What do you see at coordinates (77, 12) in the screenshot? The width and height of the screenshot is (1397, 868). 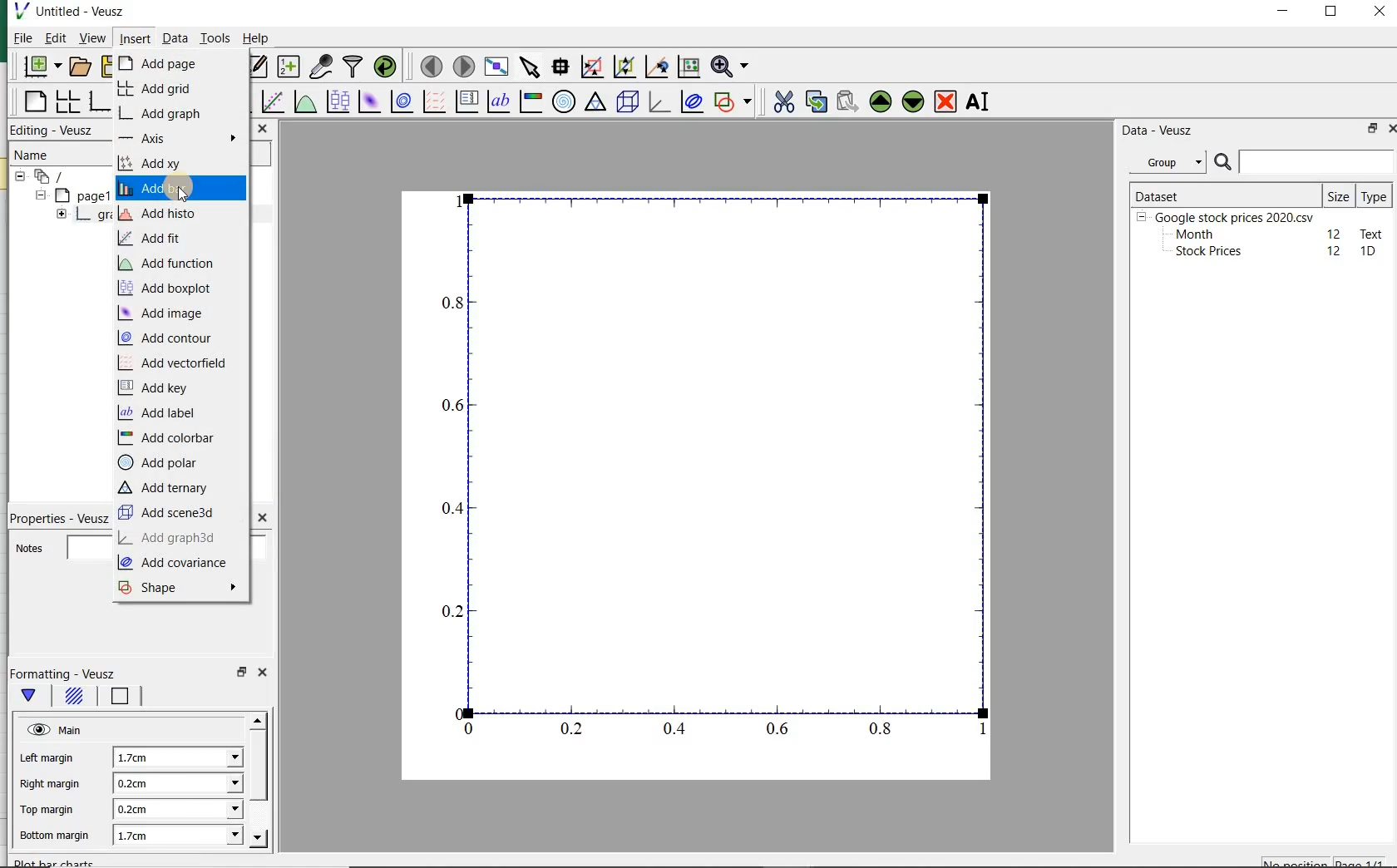 I see `Untitled-Veusz` at bounding box center [77, 12].